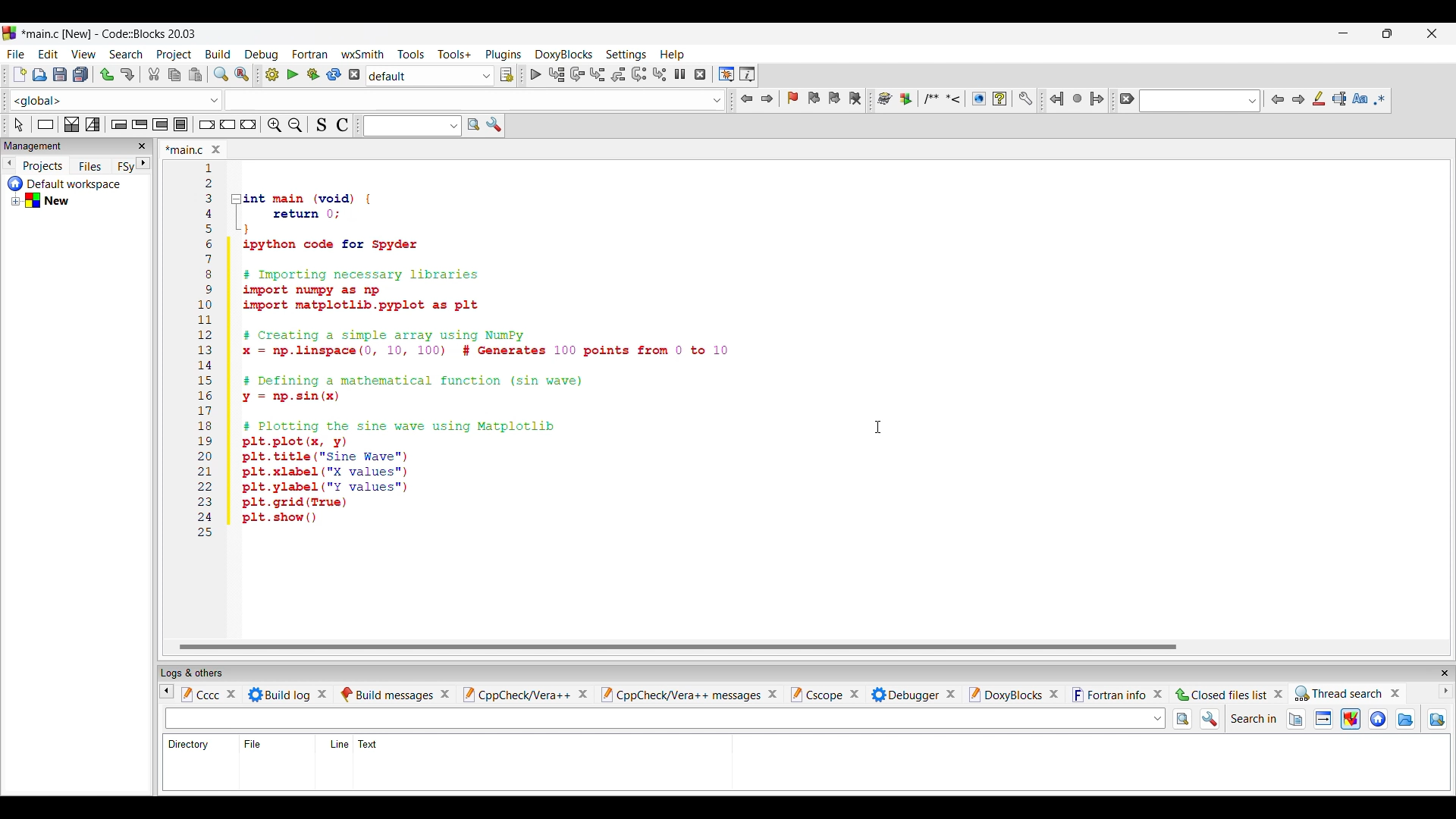 The image size is (1456, 819). Describe the element at coordinates (293, 76) in the screenshot. I see `run` at that location.